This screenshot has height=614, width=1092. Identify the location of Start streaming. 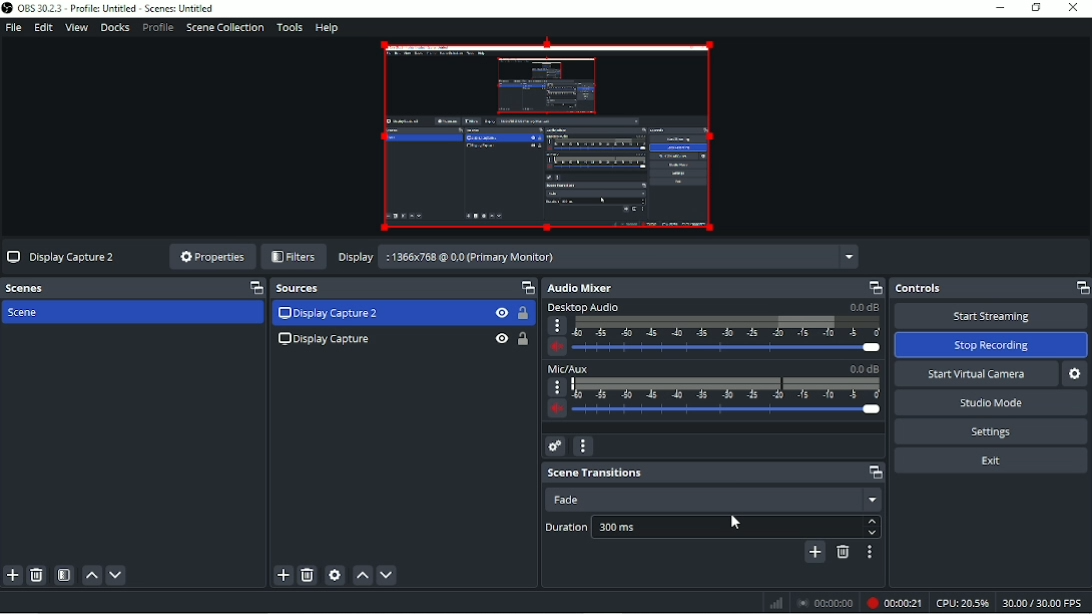
(989, 317).